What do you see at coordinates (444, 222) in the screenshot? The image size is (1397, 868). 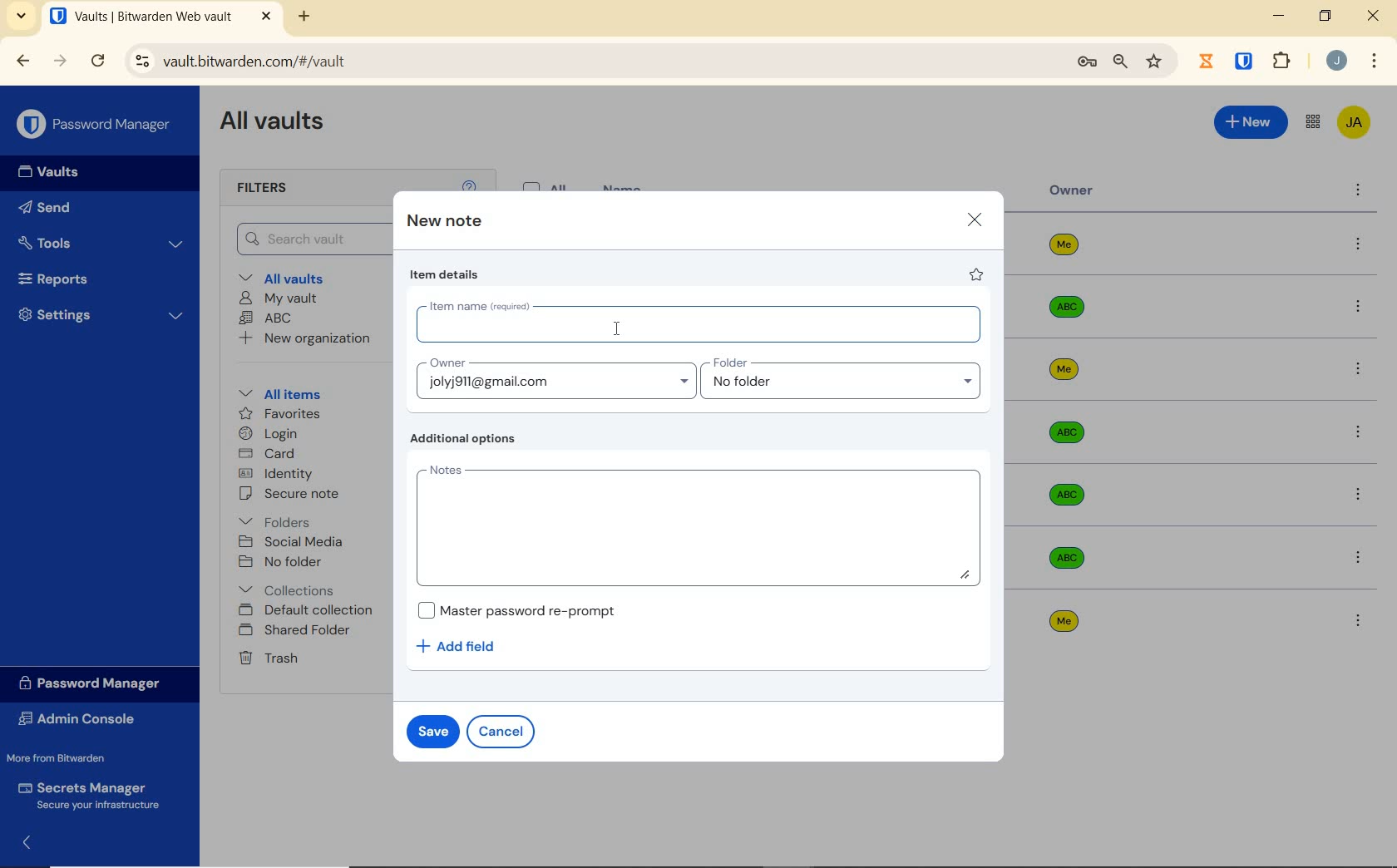 I see `new note` at bounding box center [444, 222].